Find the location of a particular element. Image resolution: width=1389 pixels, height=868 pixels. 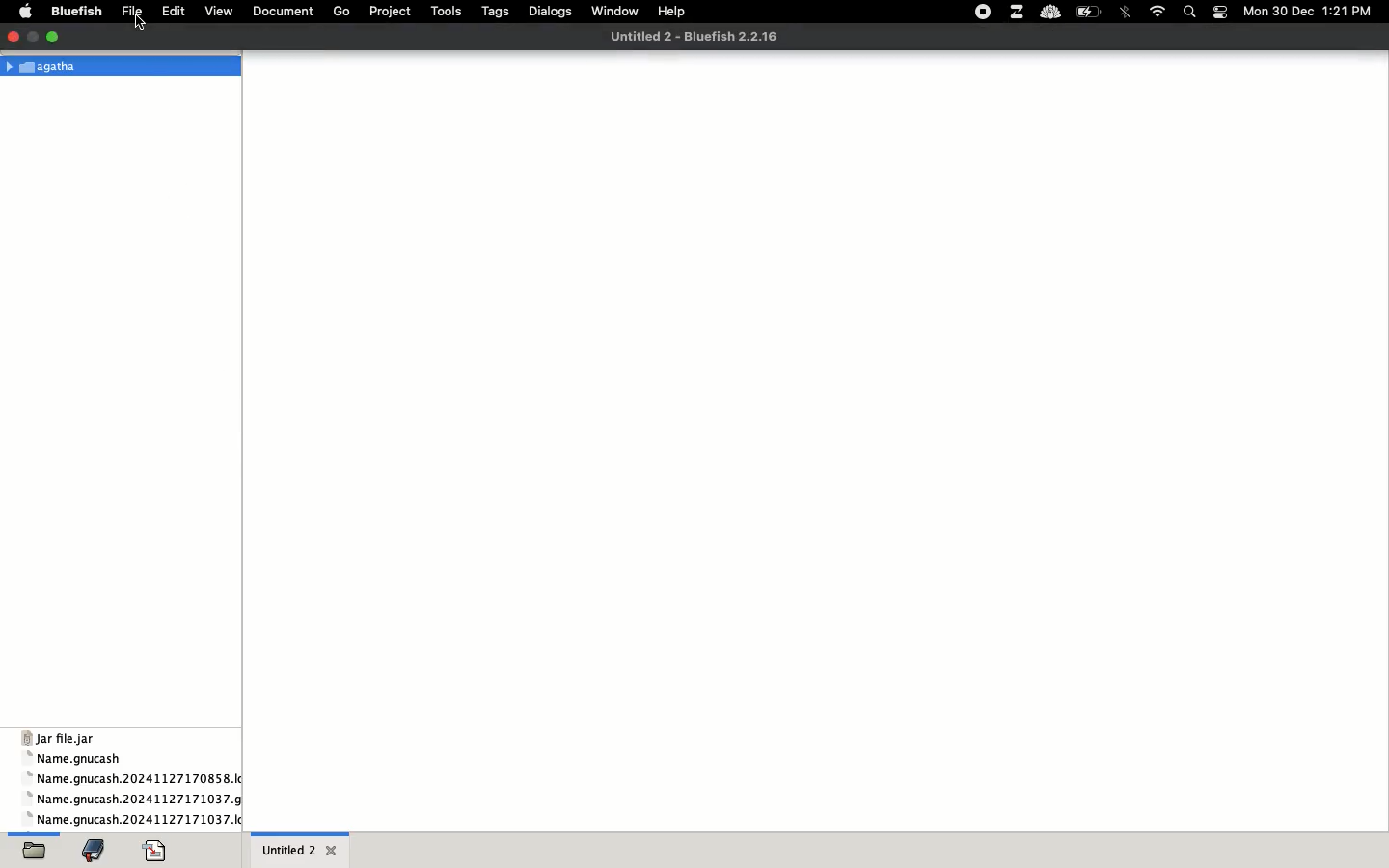

cursor is located at coordinates (140, 24).